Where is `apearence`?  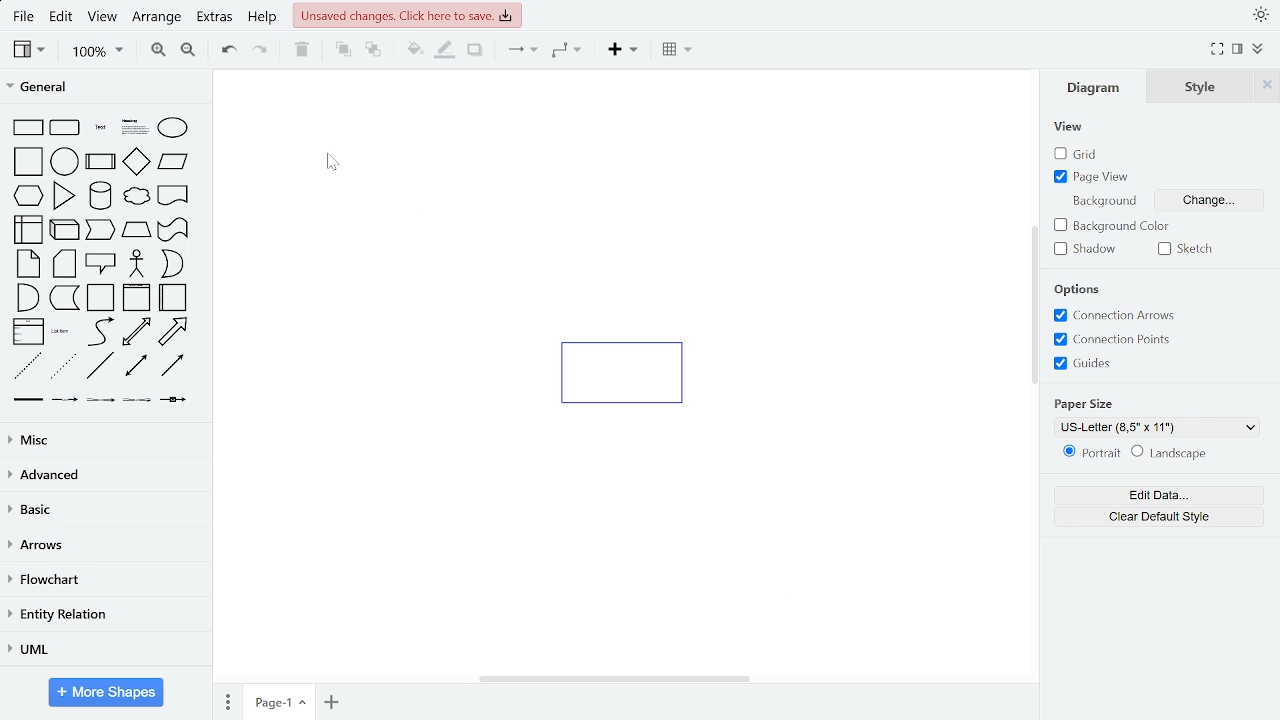 apearence is located at coordinates (1261, 15).